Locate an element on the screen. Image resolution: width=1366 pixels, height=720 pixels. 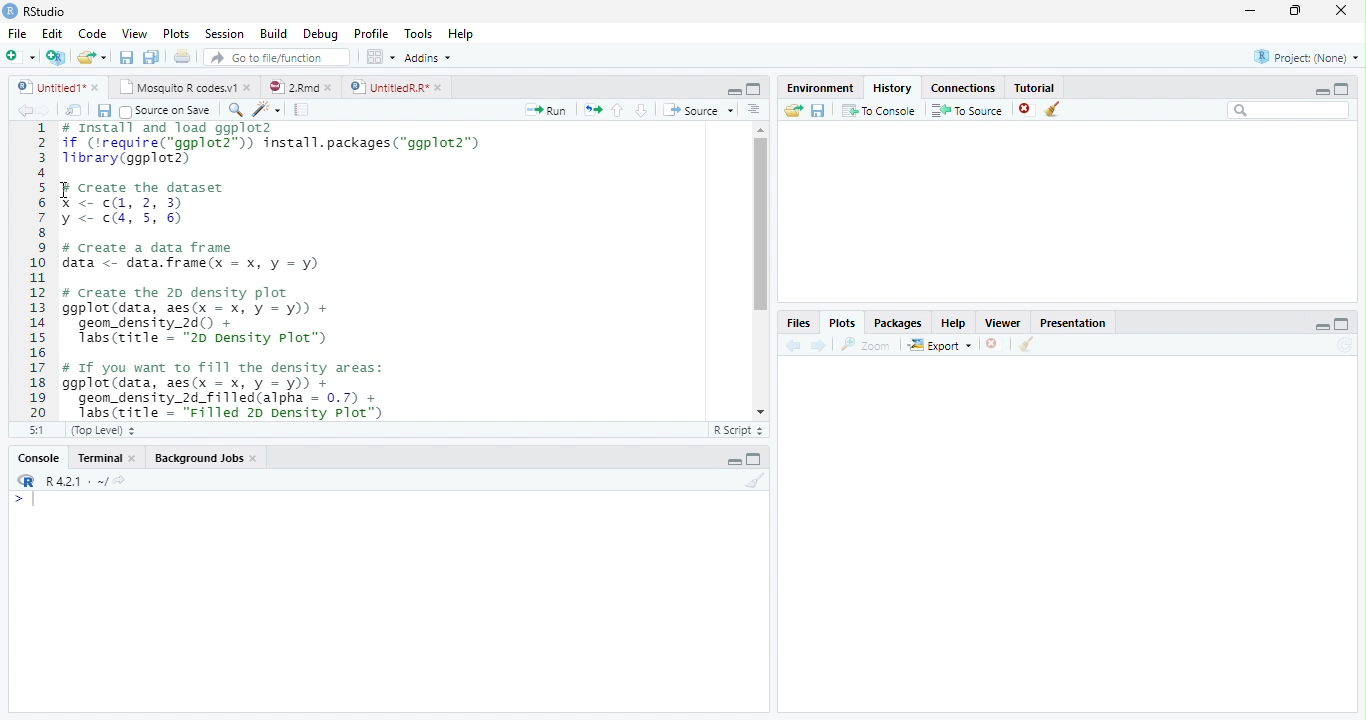
R421 - ~/ is located at coordinates (70, 481).